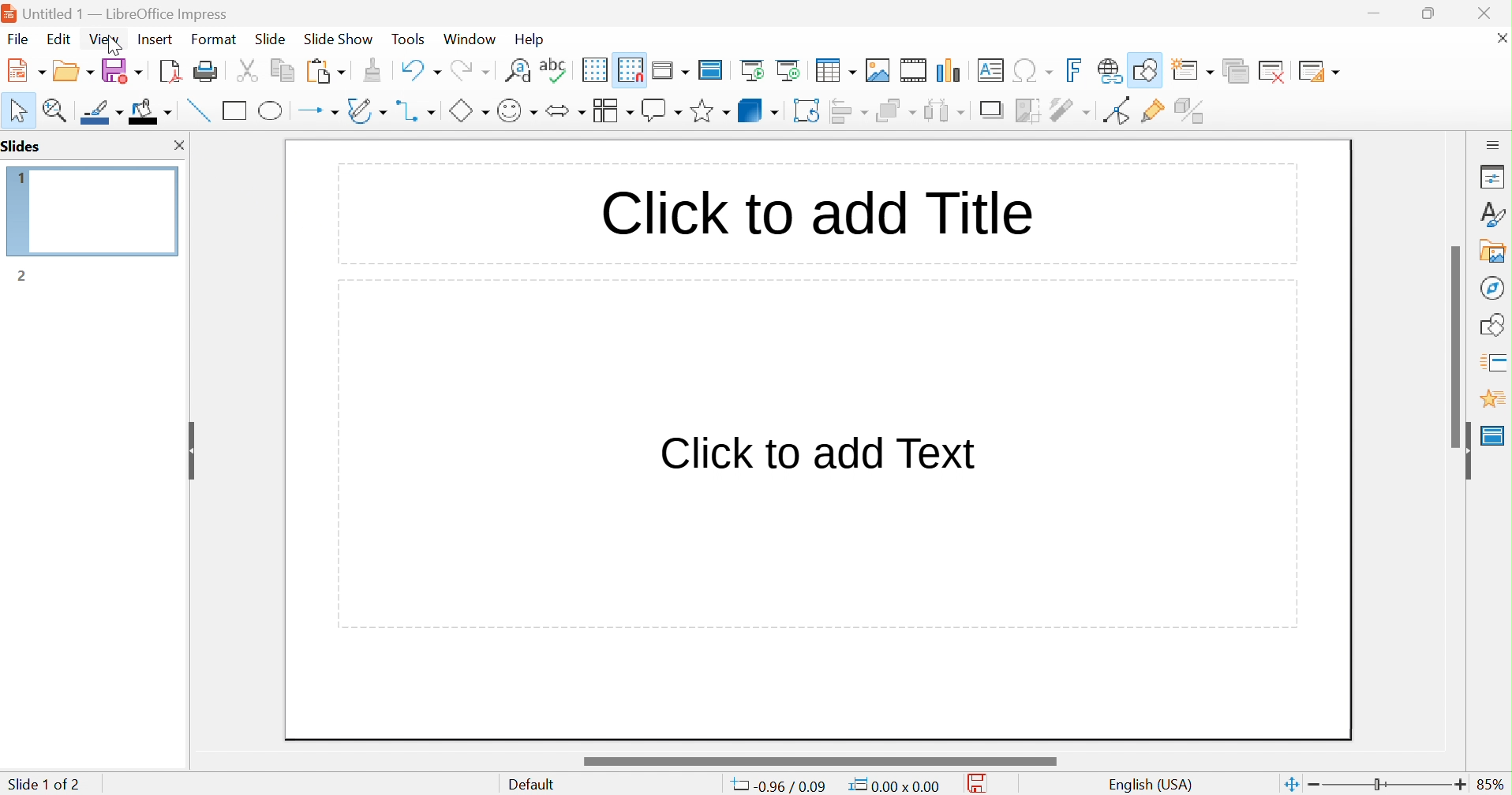  What do you see at coordinates (189, 446) in the screenshot?
I see `hide` at bounding box center [189, 446].